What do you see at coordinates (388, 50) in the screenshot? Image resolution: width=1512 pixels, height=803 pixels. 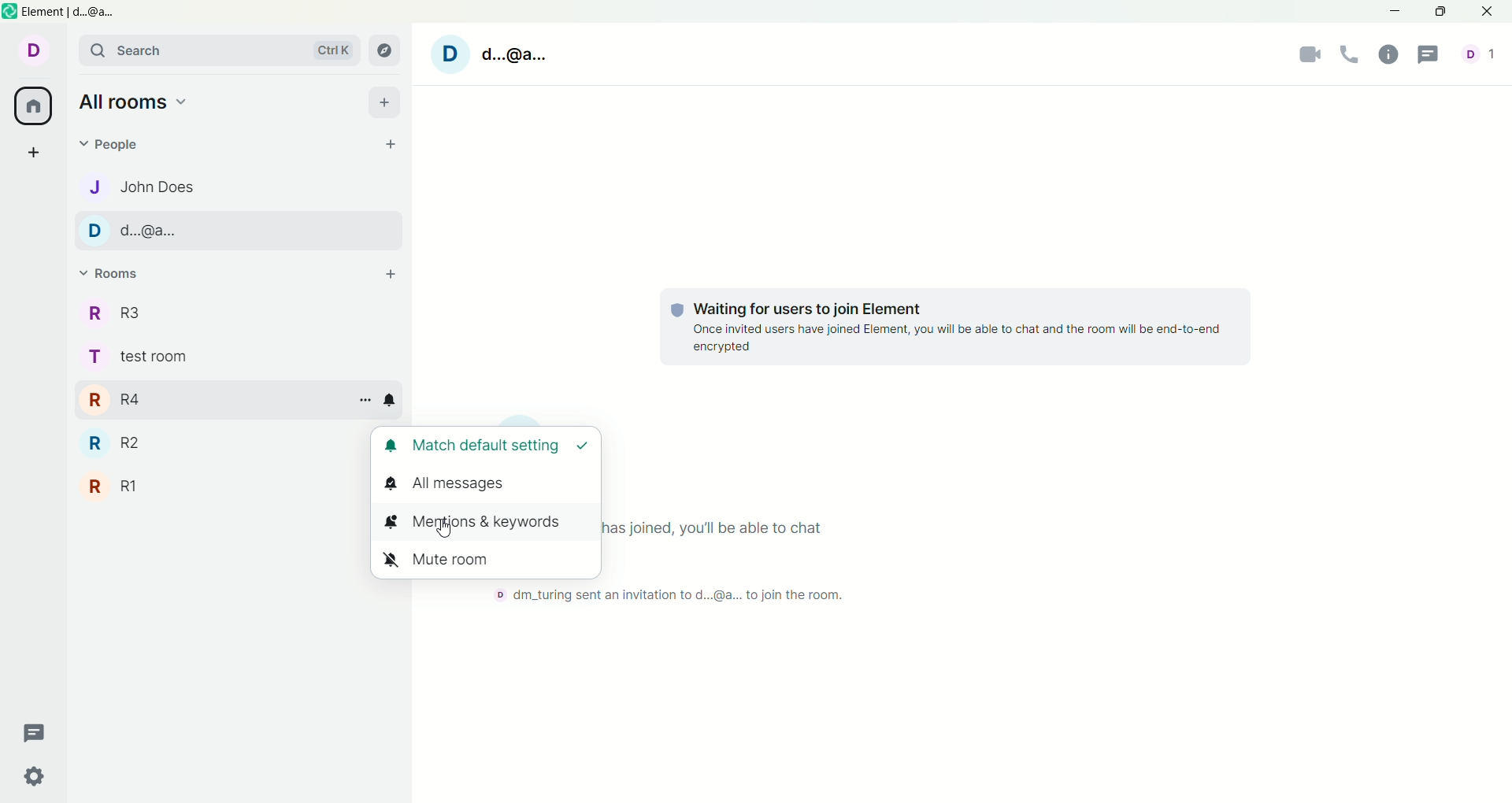 I see `explore room` at bounding box center [388, 50].